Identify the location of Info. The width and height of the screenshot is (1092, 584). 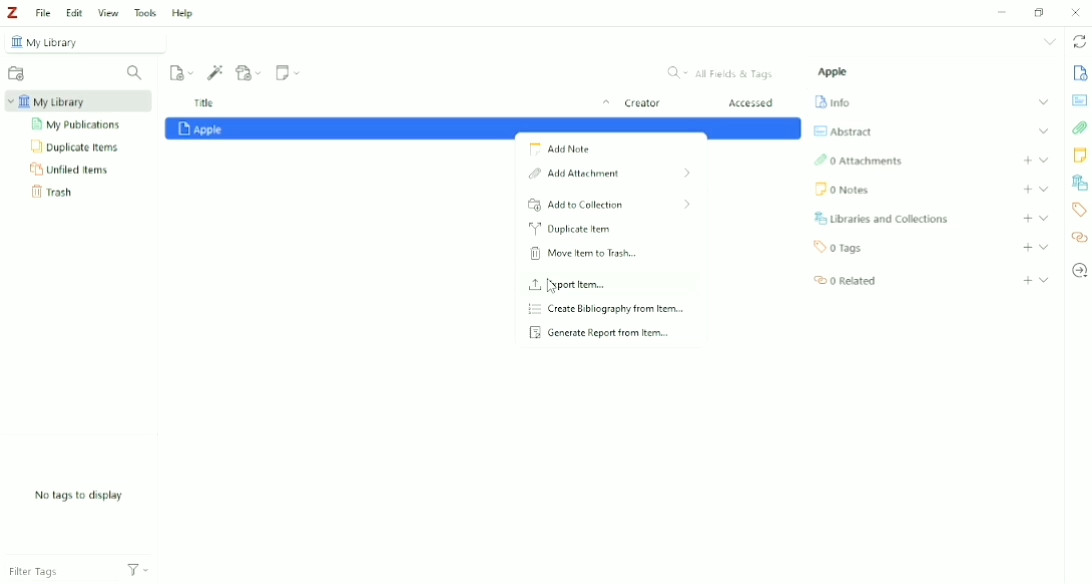
(1080, 74).